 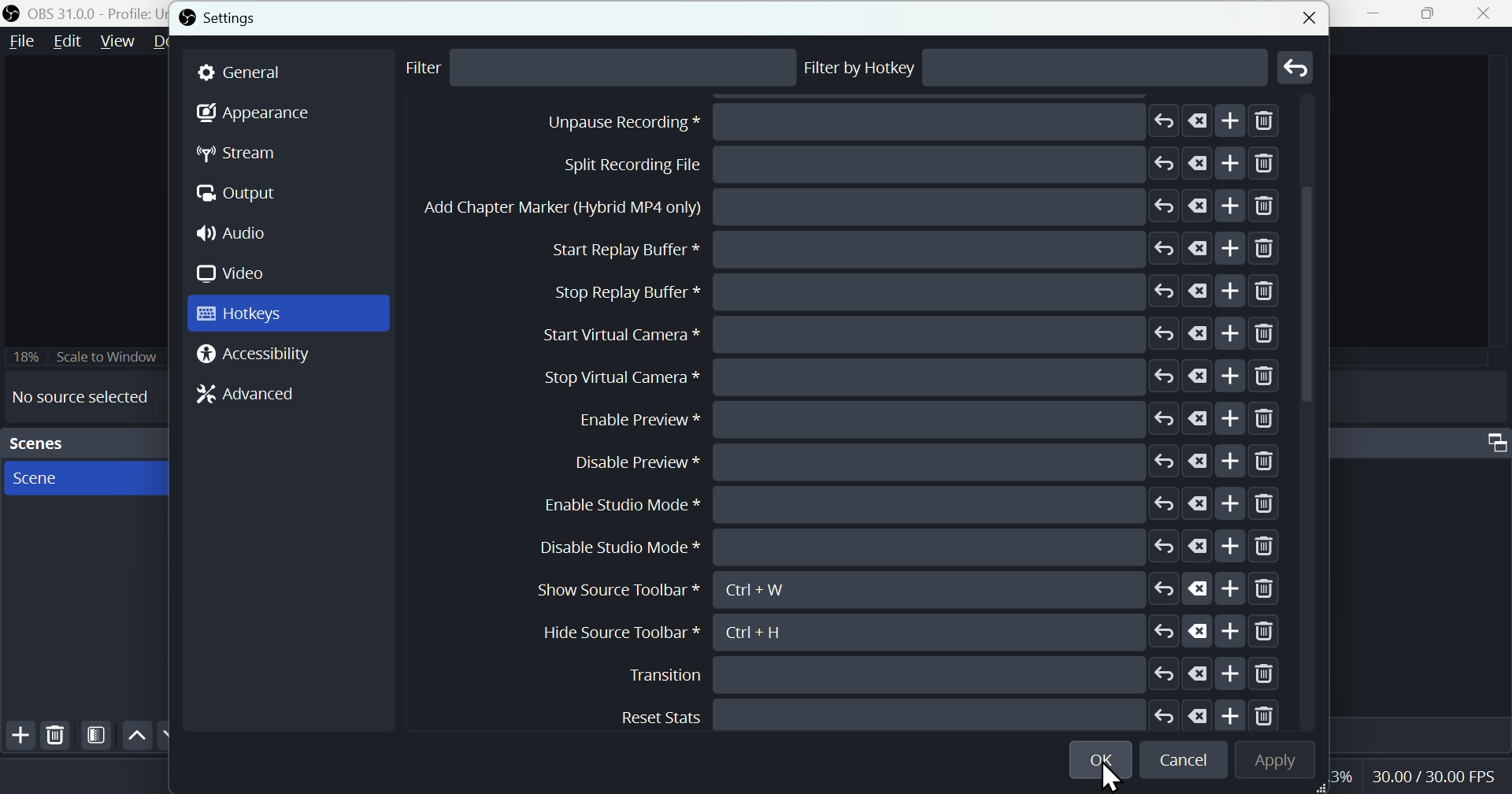 What do you see at coordinates (1297, 67) in the screenshot?
I see `Go back` at bounding box center [1297, 67].